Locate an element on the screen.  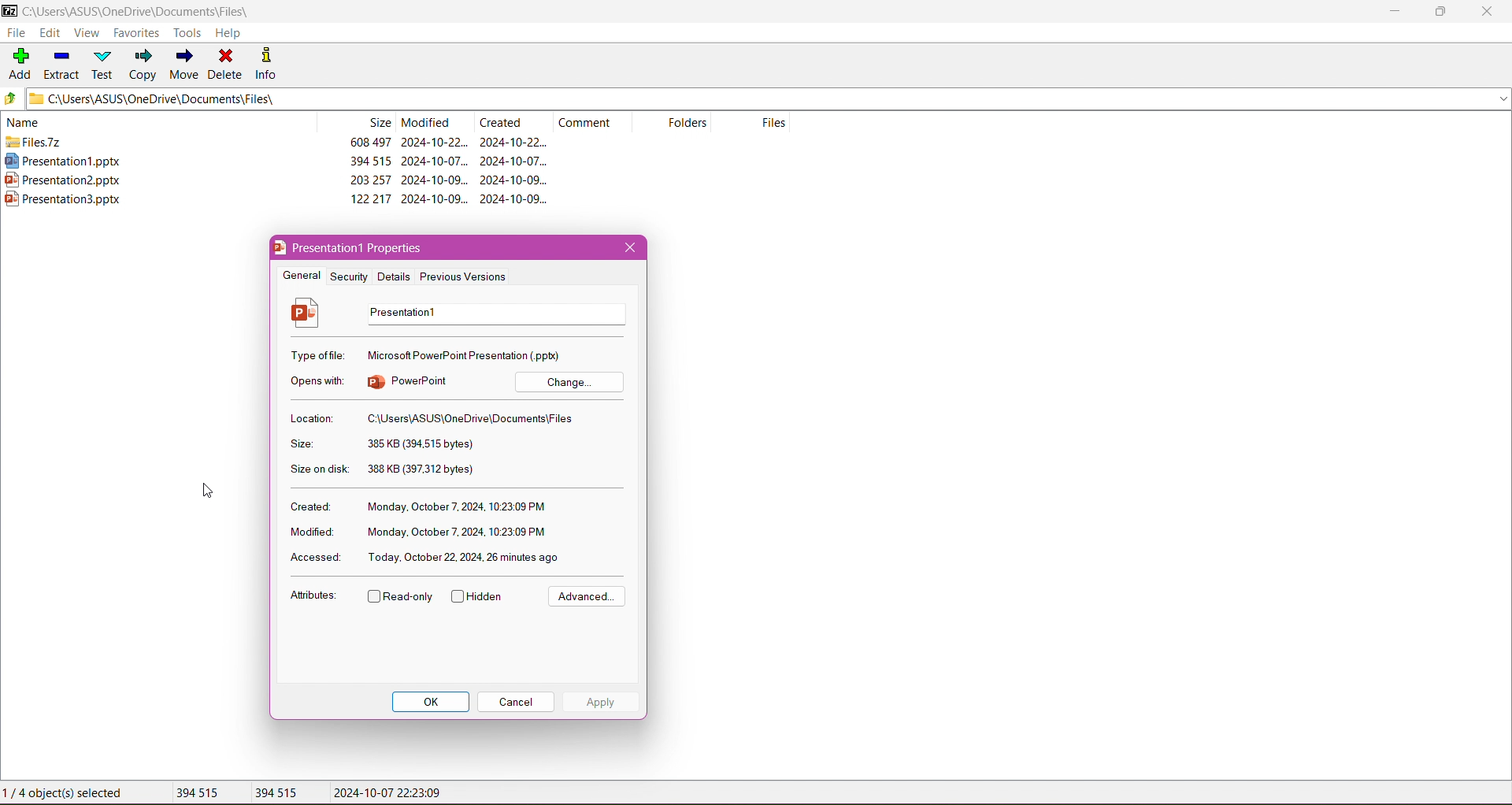
presentation3.pptx is located at coordinates (63, 199).